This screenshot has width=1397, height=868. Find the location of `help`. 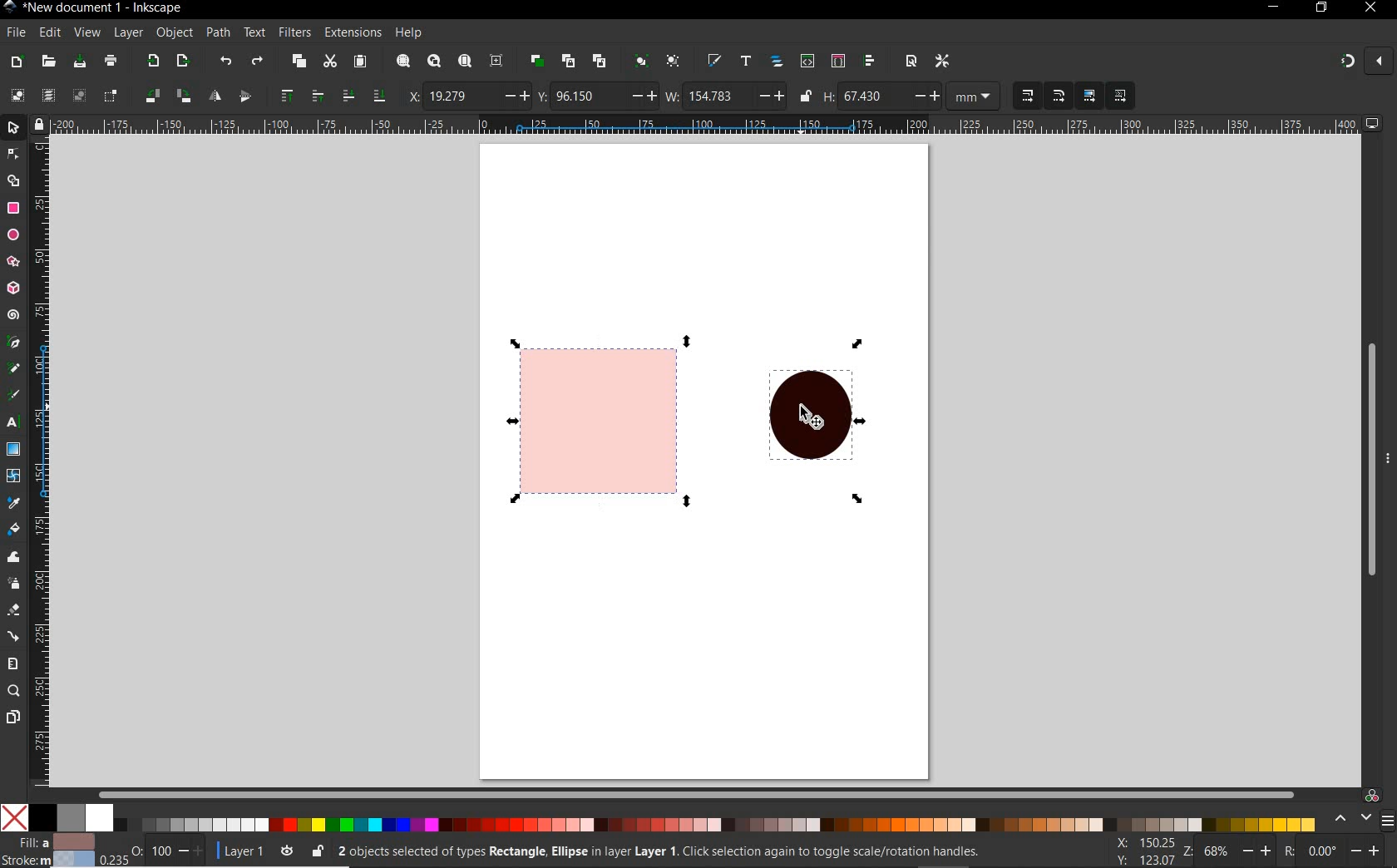

help is located at coordinates (409, 33).